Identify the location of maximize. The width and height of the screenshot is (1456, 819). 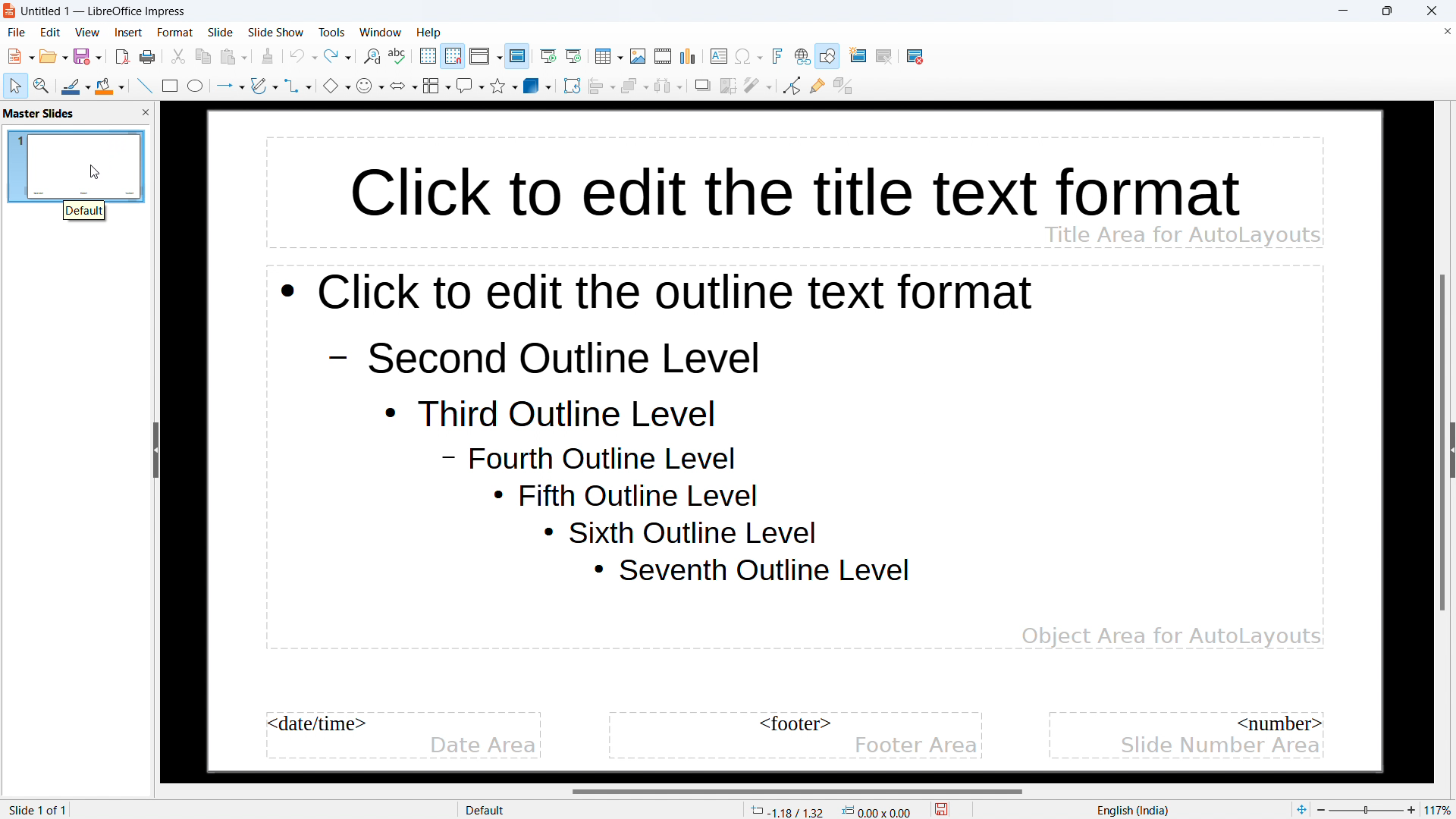
(1386, 11).